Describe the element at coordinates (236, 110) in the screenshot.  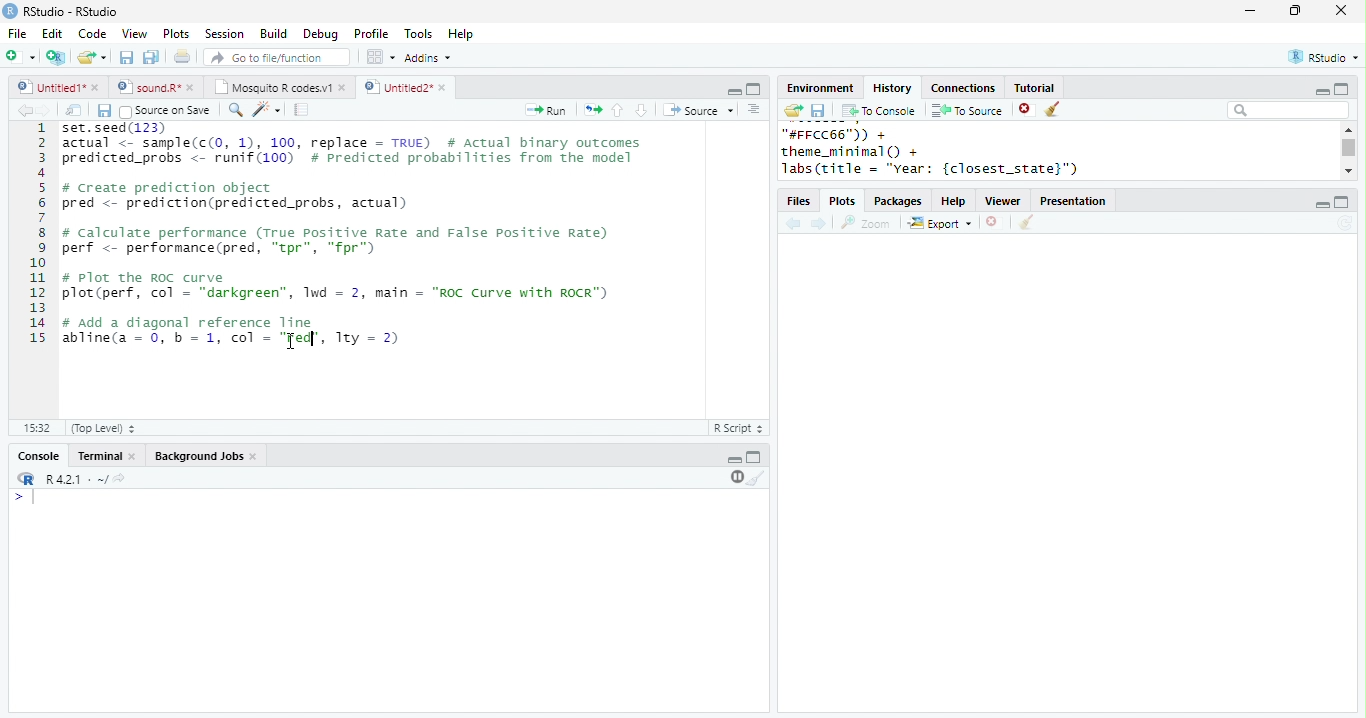
I see `search` at that location.